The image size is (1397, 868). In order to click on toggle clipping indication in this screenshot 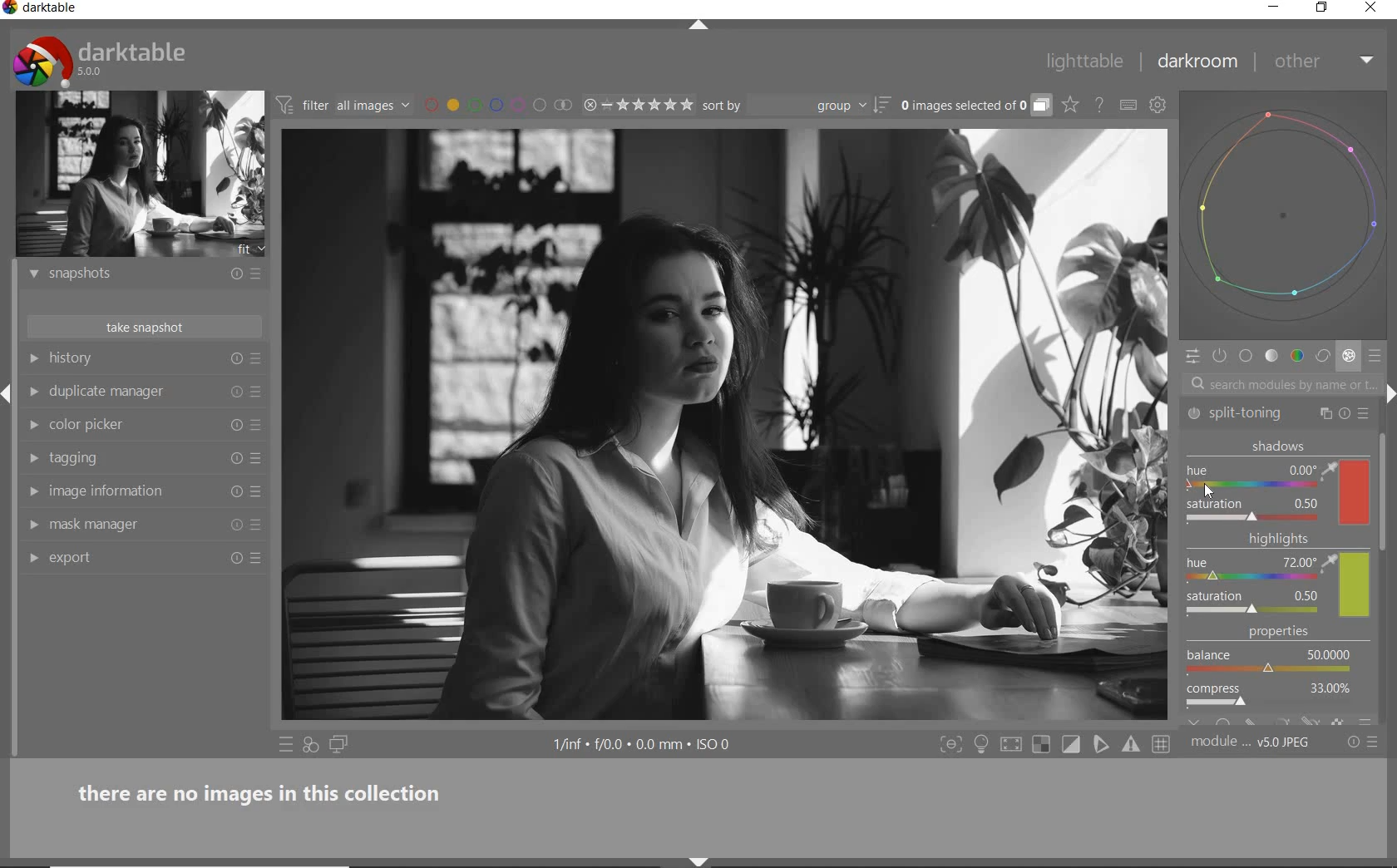, I will do `click(1073, 744)`.